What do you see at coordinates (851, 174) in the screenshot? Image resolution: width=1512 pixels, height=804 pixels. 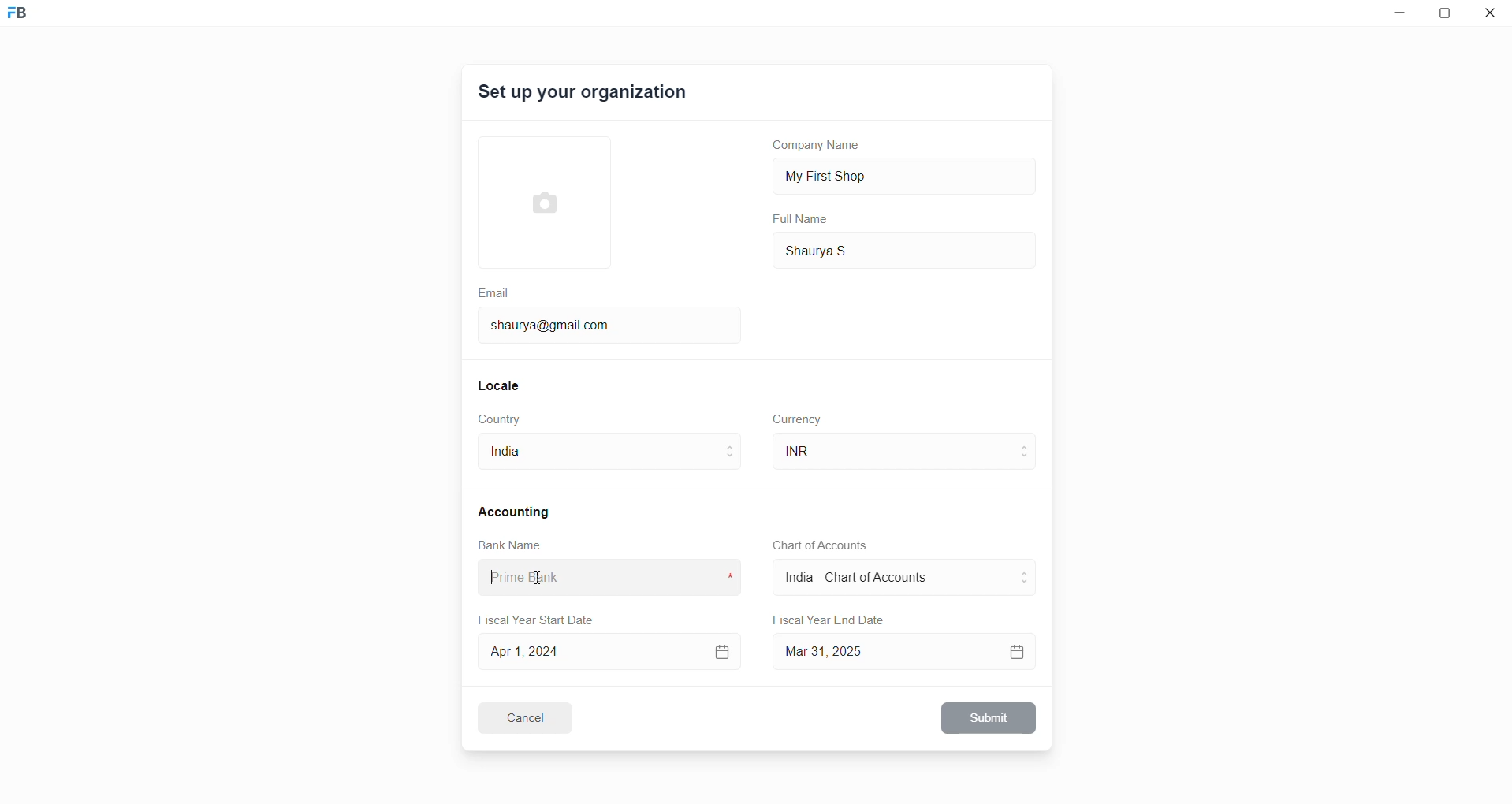 I see `My First Shop` at bounding box center [851, 174].